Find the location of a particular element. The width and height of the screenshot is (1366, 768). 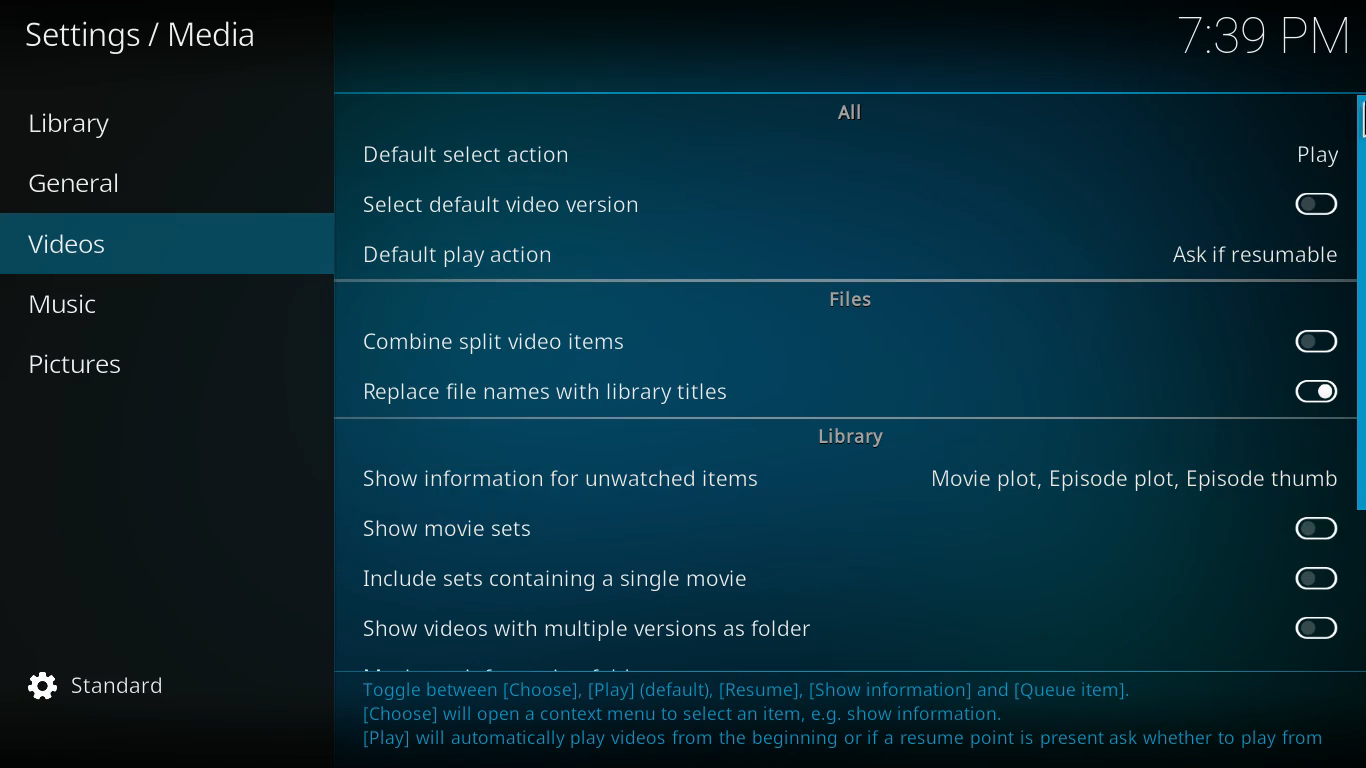

General is located at coordinates (98, 185).